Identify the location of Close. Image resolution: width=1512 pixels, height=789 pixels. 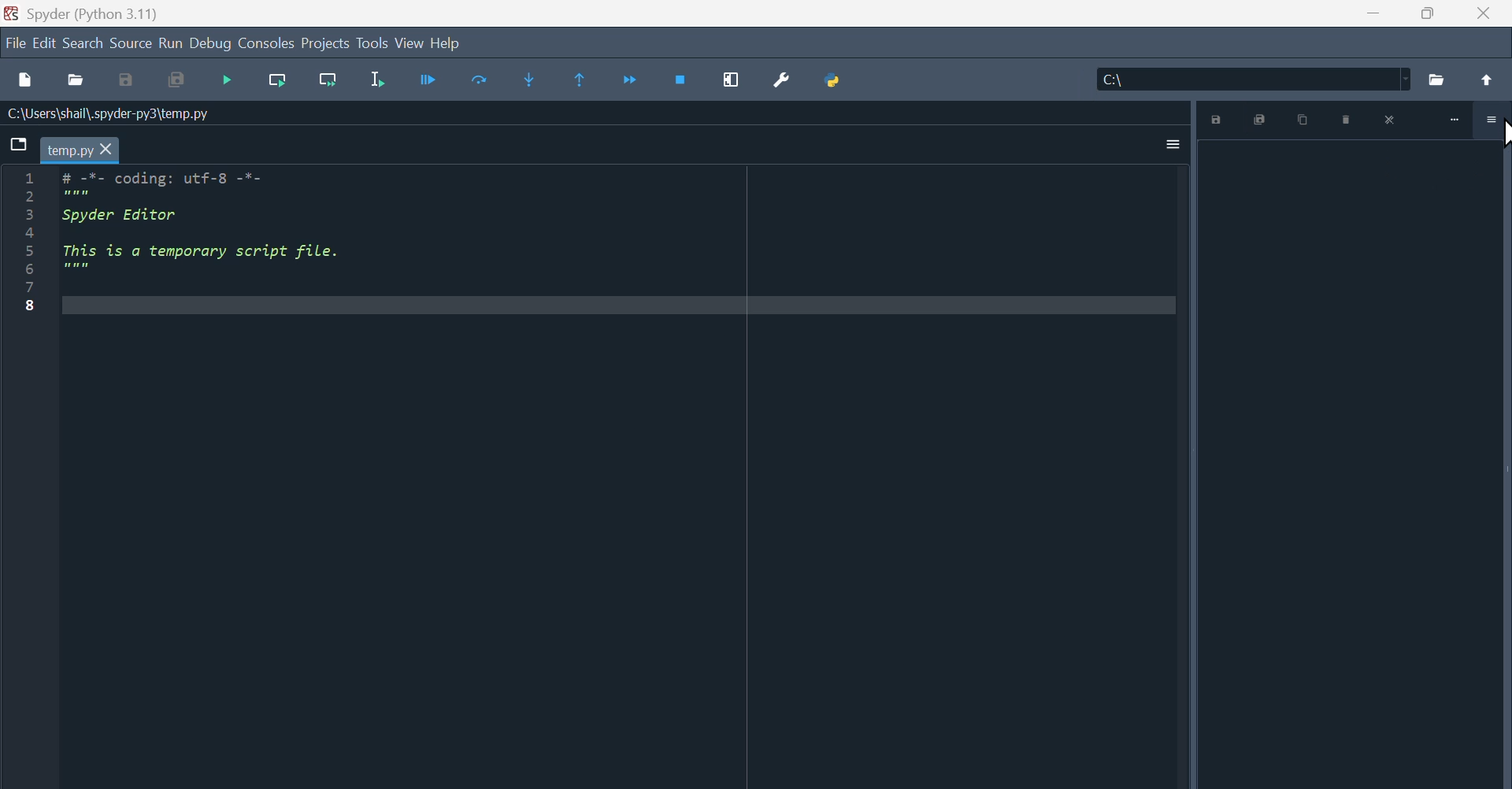
(1487, 11).